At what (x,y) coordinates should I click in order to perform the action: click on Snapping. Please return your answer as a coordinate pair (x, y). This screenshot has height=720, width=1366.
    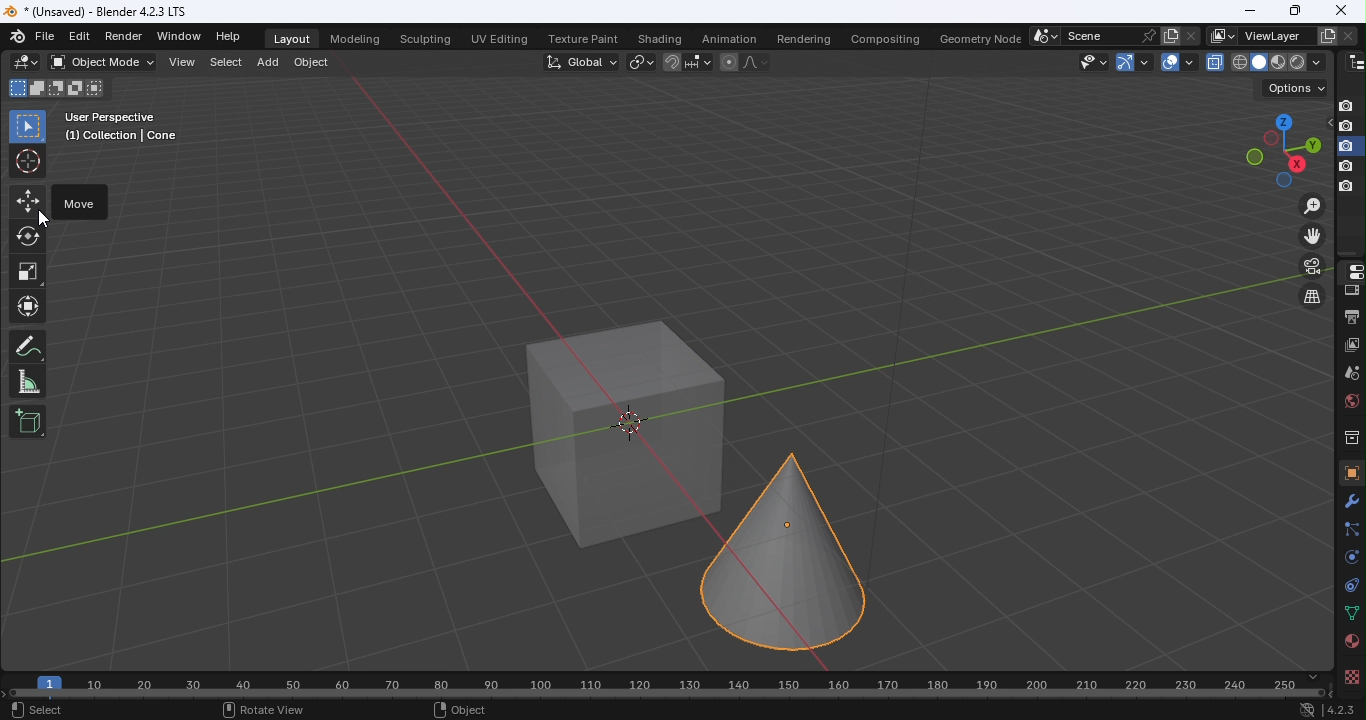
    Looking at the image, I should click on (699, 61).